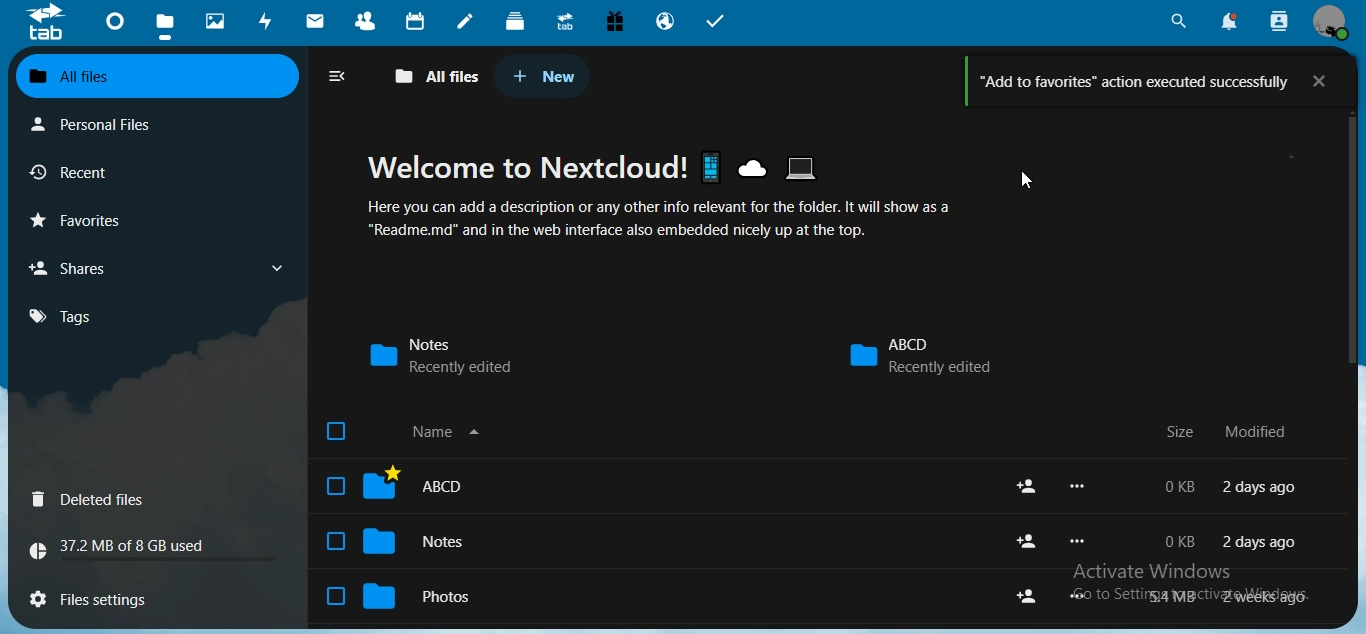 The width and height of the screenshot is (1366, 634). What do you see at coordinates (1233, 540) in the screenshot?
I see `text` at bounding box center [1233, 540].